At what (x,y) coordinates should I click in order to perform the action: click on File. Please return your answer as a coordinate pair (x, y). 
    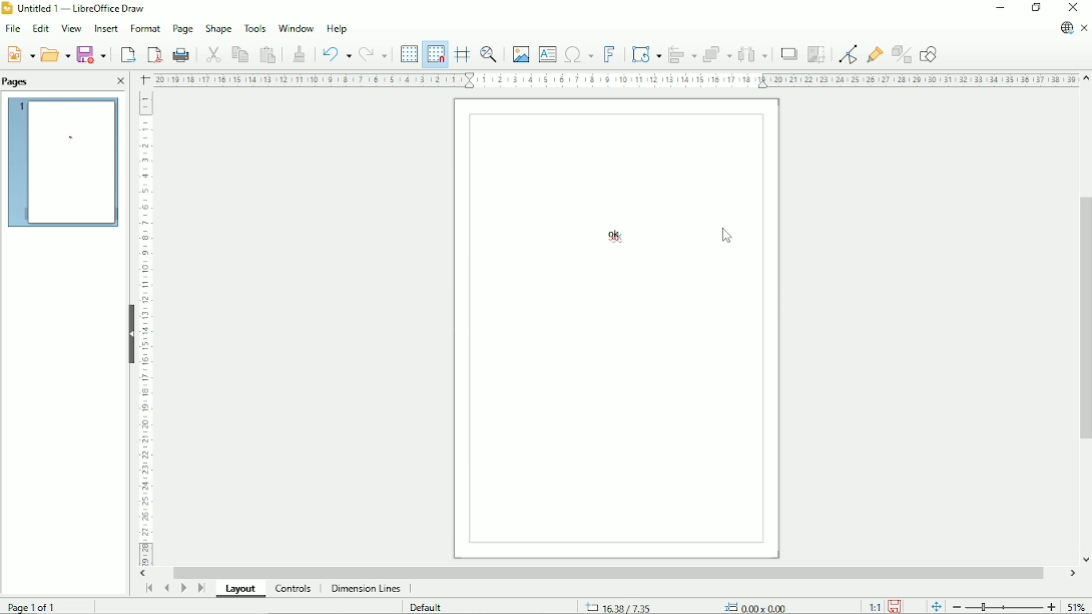
    Looking at the image, I should click on (11, 29).